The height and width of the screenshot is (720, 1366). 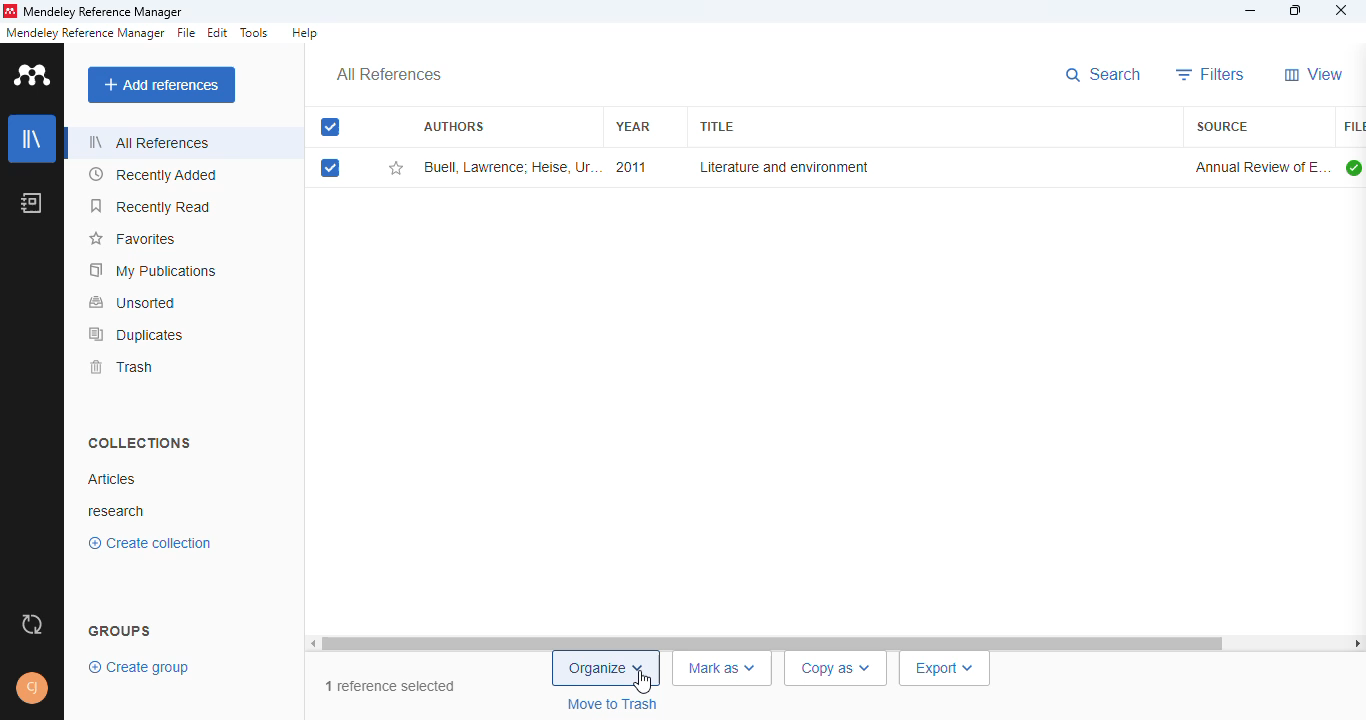 I want to click on horizontal scroll bar, so click(x=775, y=642).